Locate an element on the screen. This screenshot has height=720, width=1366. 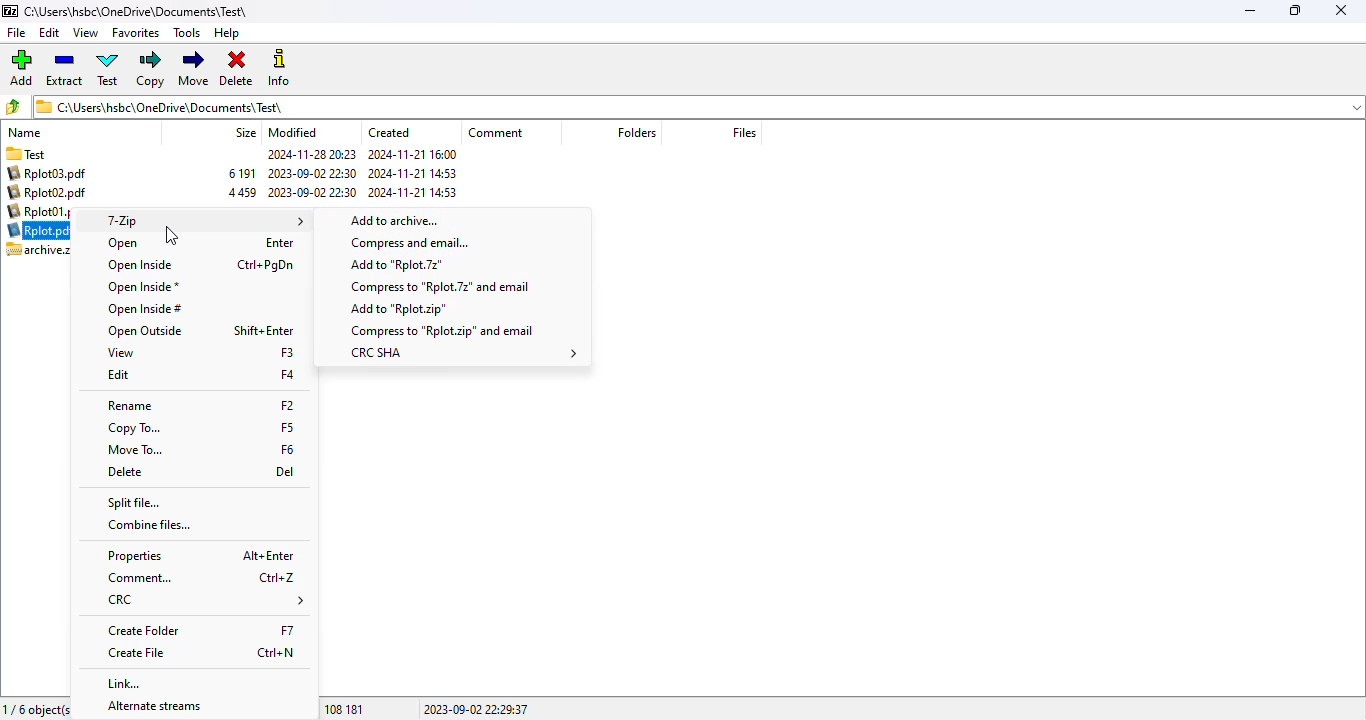
shortcut for view is located at coordinates (287, 352).